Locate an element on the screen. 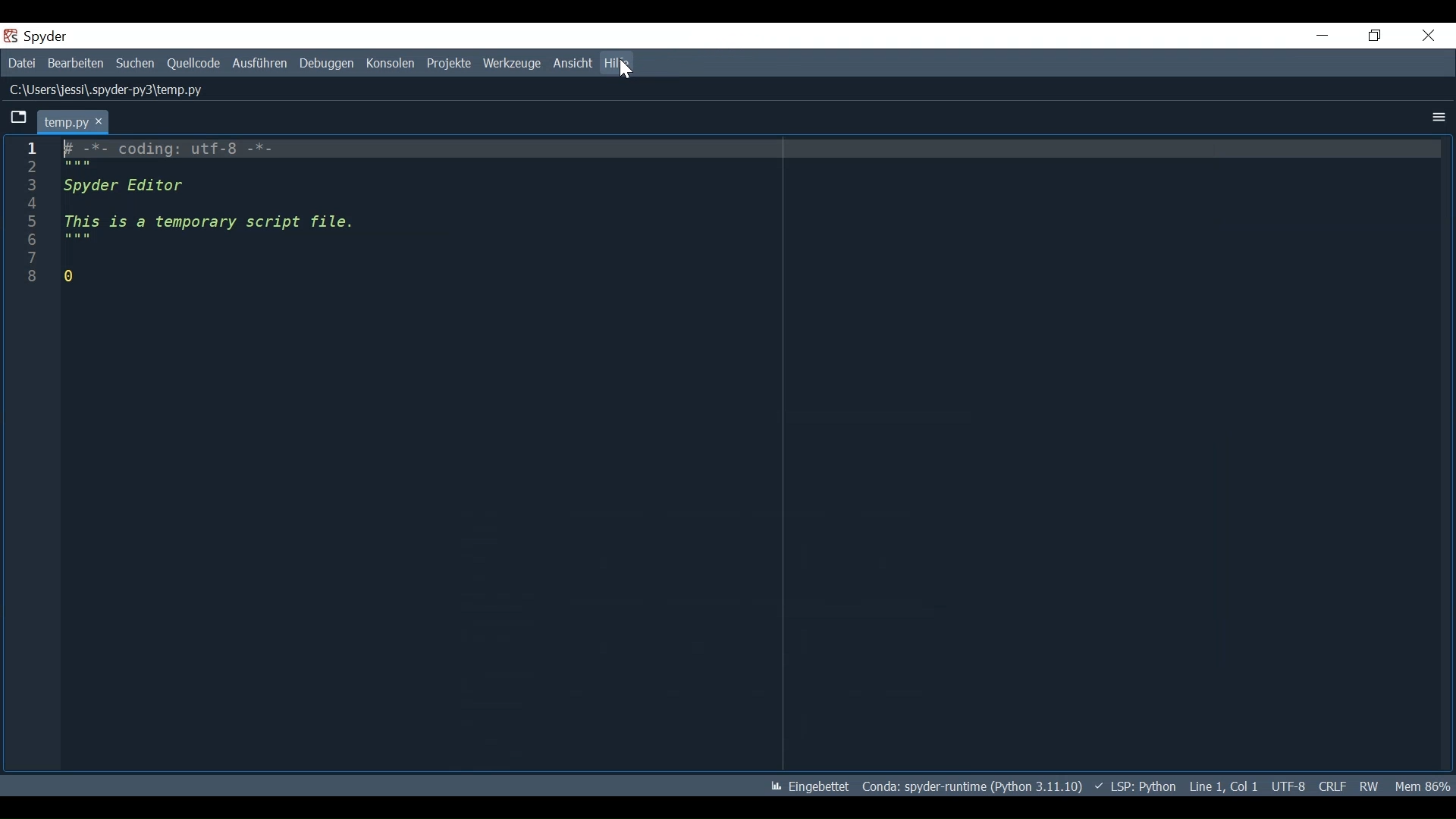 This screenshot has height=819, width=1456. Browse Tab is located at coordinates (17, 119).